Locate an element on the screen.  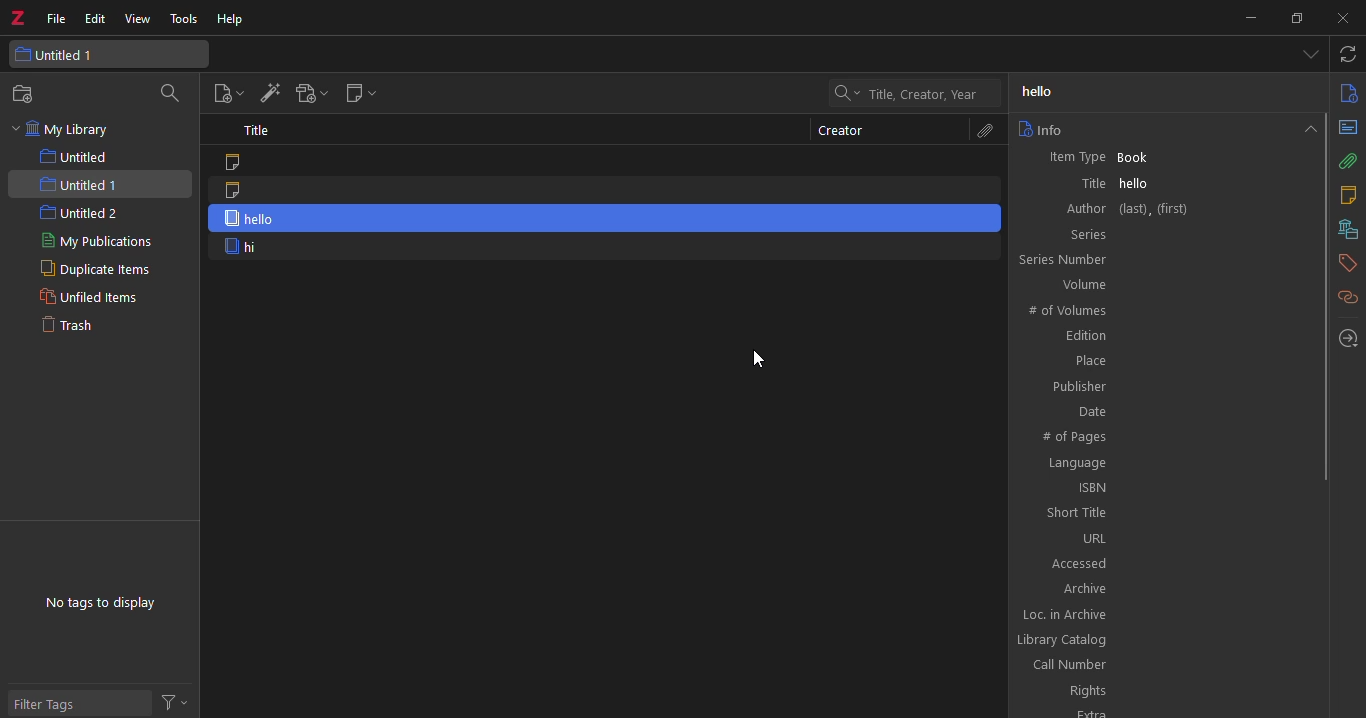
filter tags is located at coordinates (79, 701).